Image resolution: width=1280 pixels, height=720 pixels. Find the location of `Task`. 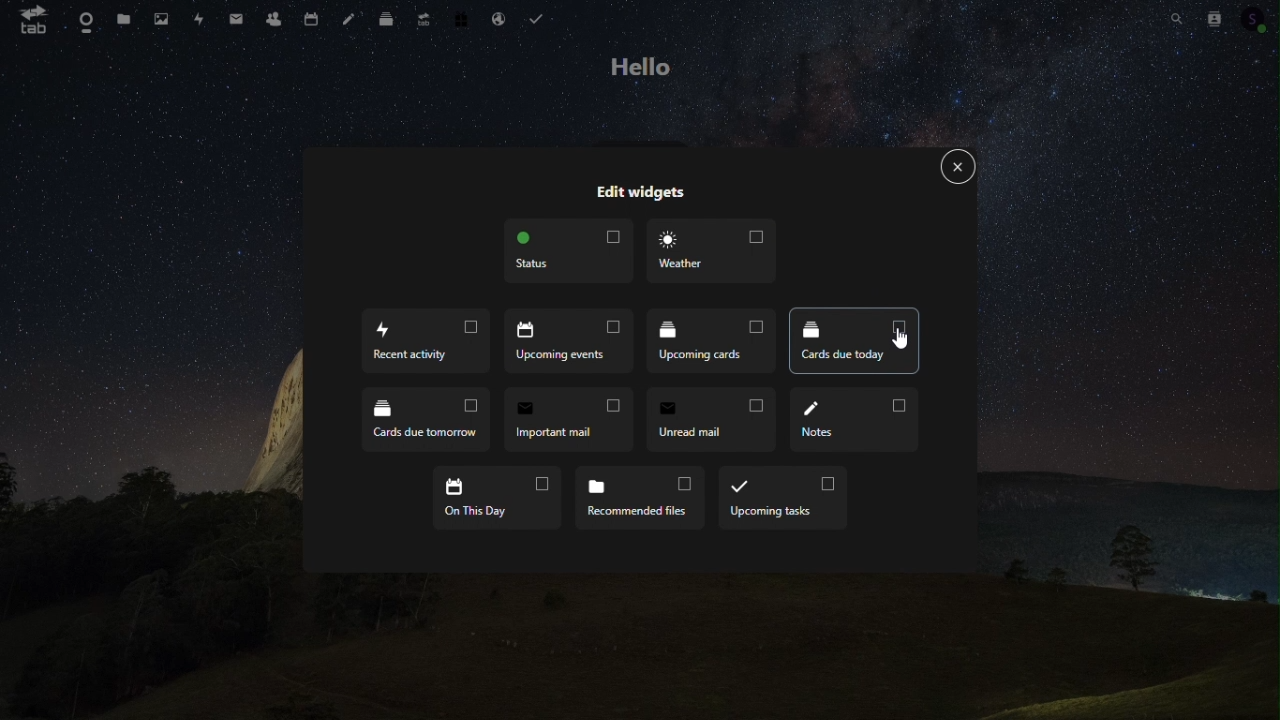

Task is located at coordinates (535, 17).